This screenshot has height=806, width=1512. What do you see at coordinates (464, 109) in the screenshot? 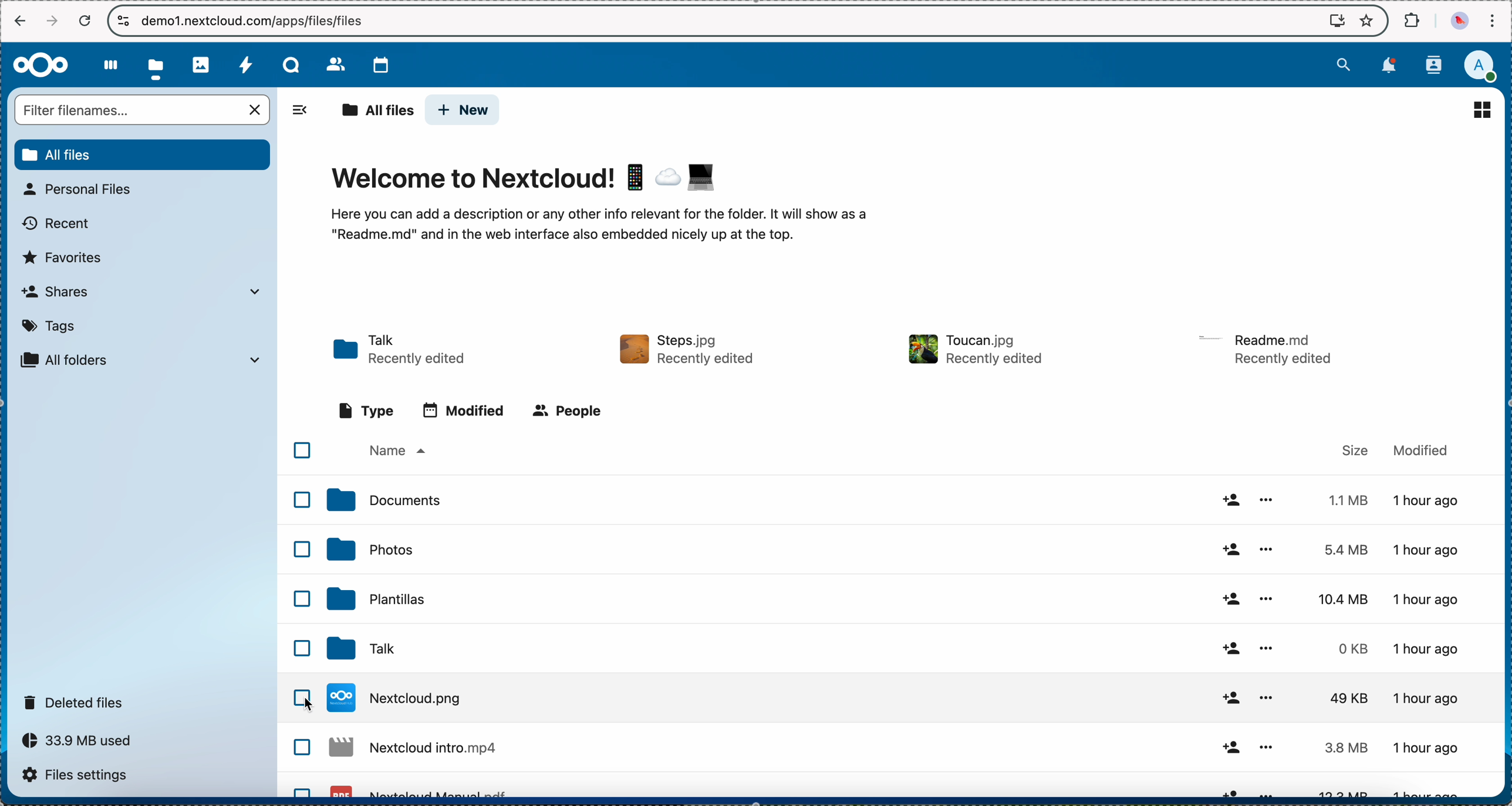
I see `new button` at bounding box center [464, 109].